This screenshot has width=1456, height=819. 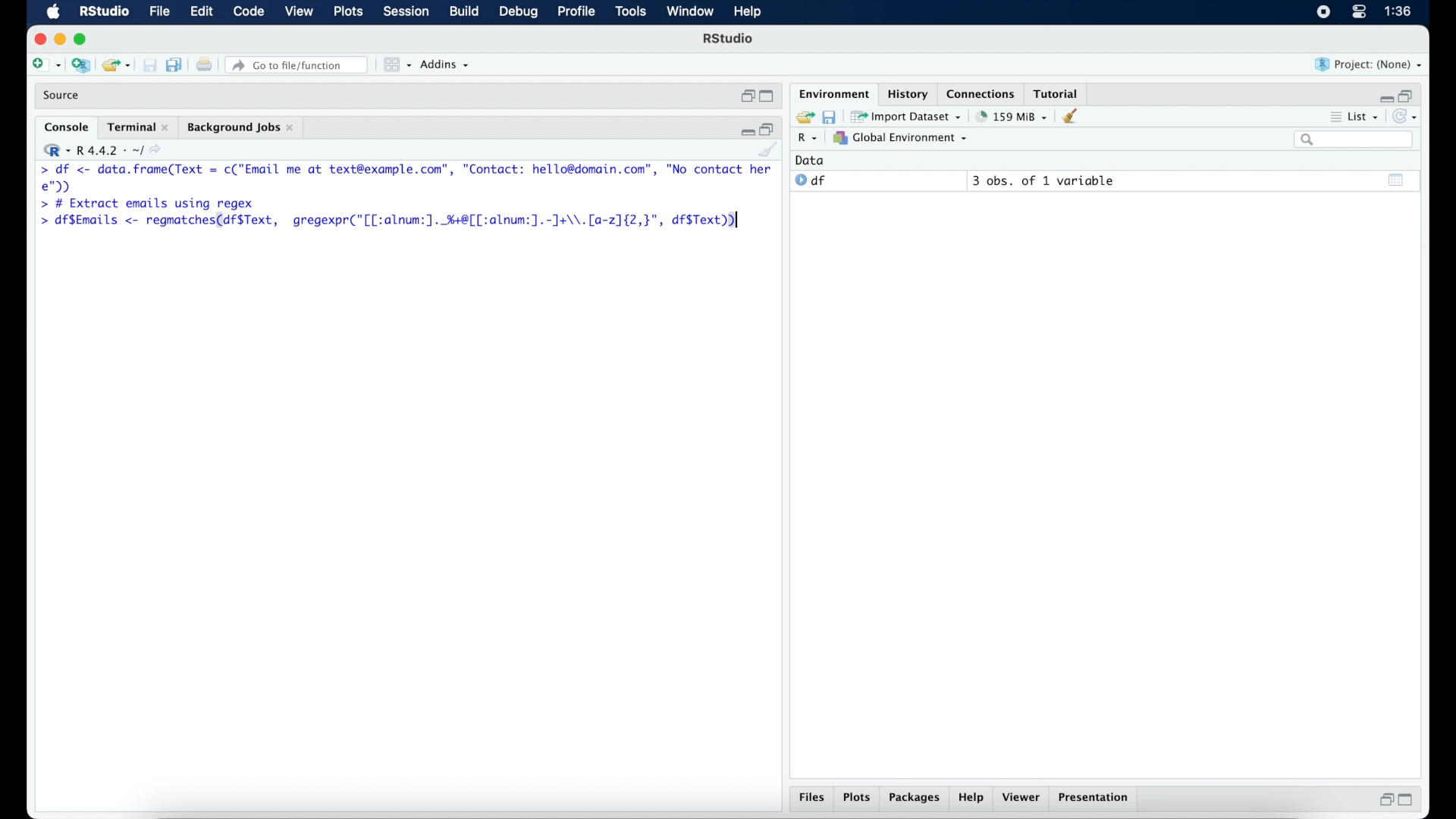 I want to click on Go to file/function, so click(x=297, y=64).